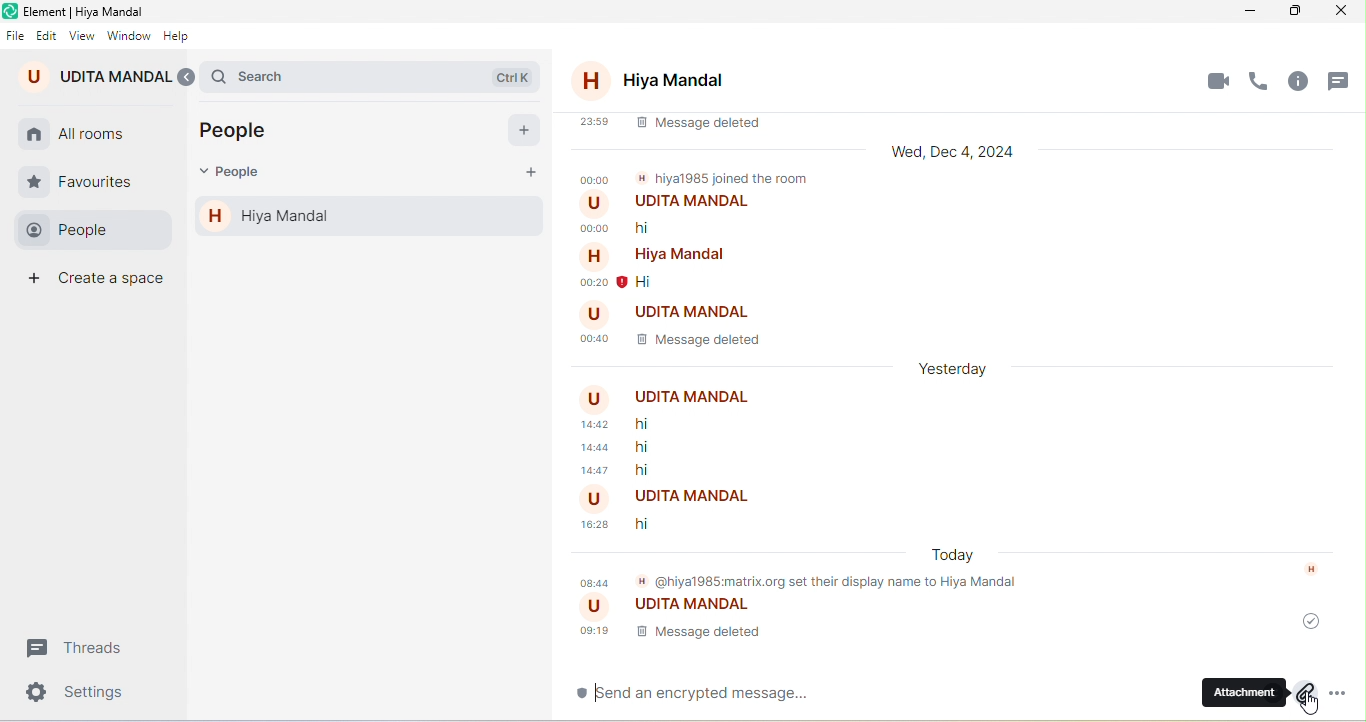  What do you see at coordinates (961, 154) in the screenshot?
I see `wed, dec 4,2024` at bounding box center [961, 154].